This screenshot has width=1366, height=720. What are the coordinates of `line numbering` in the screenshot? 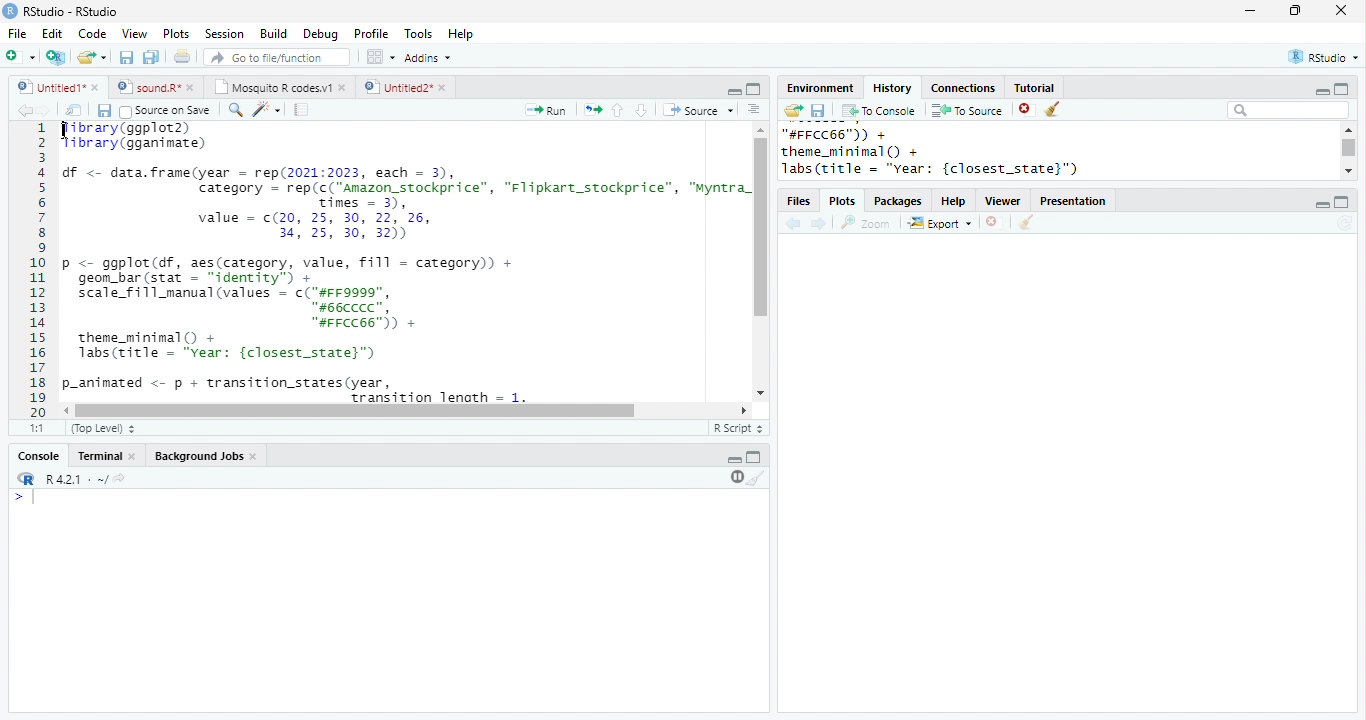 It's located at (37, 271).